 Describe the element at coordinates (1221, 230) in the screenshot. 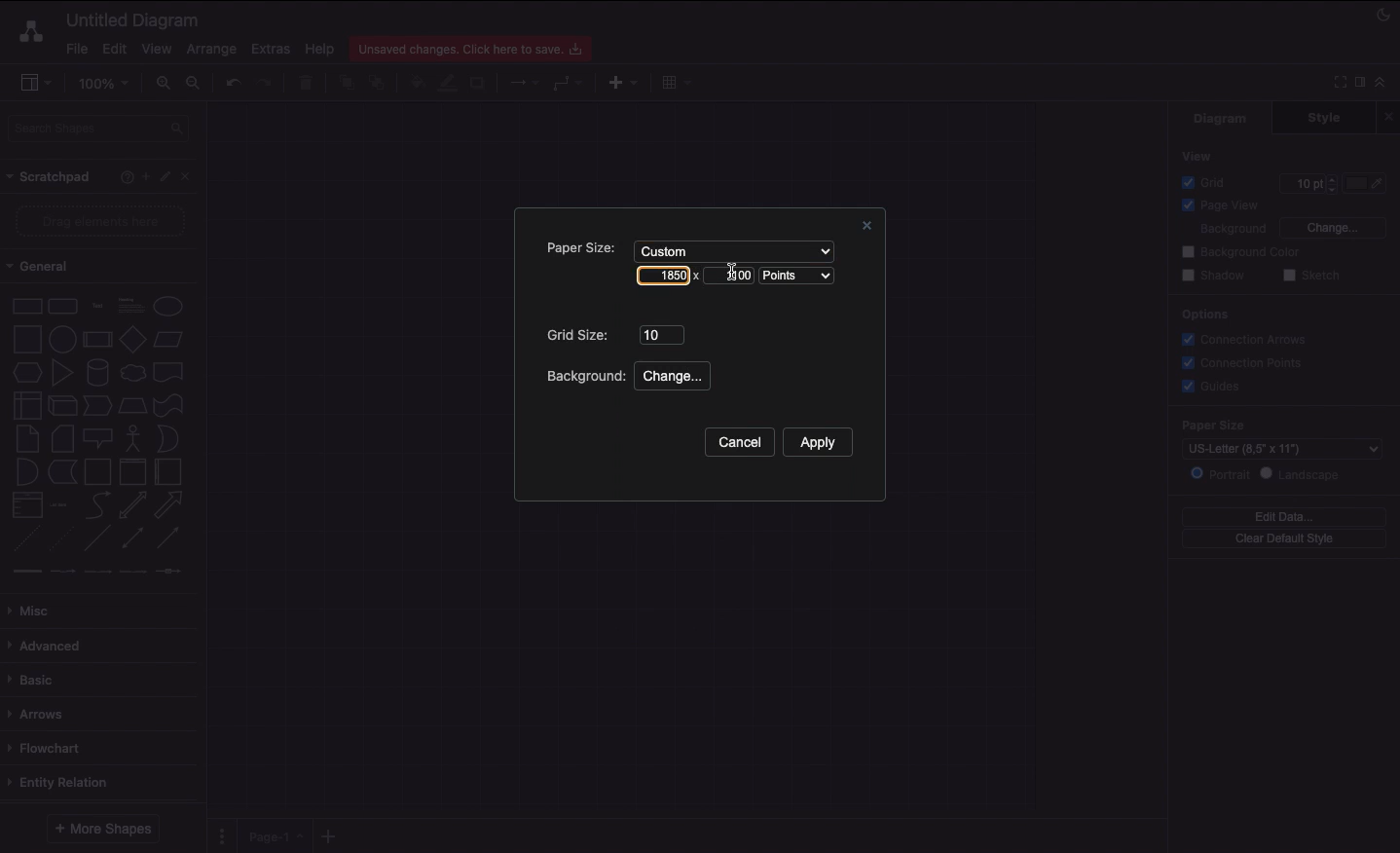

I see `Background ` at that location.